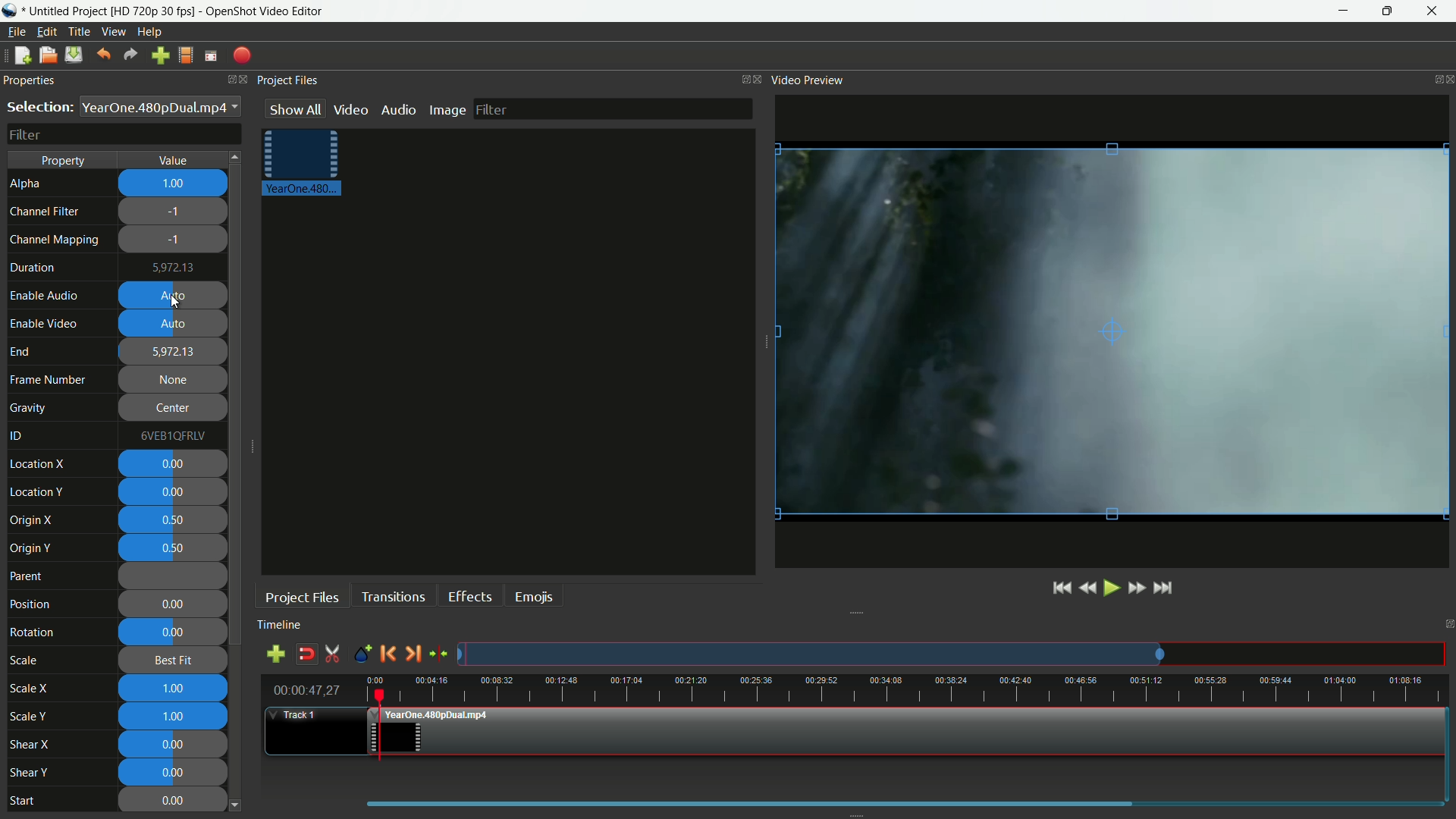  Describe the element at coordinates (49, 380) in the screenshot. I see `frame number` at that location.